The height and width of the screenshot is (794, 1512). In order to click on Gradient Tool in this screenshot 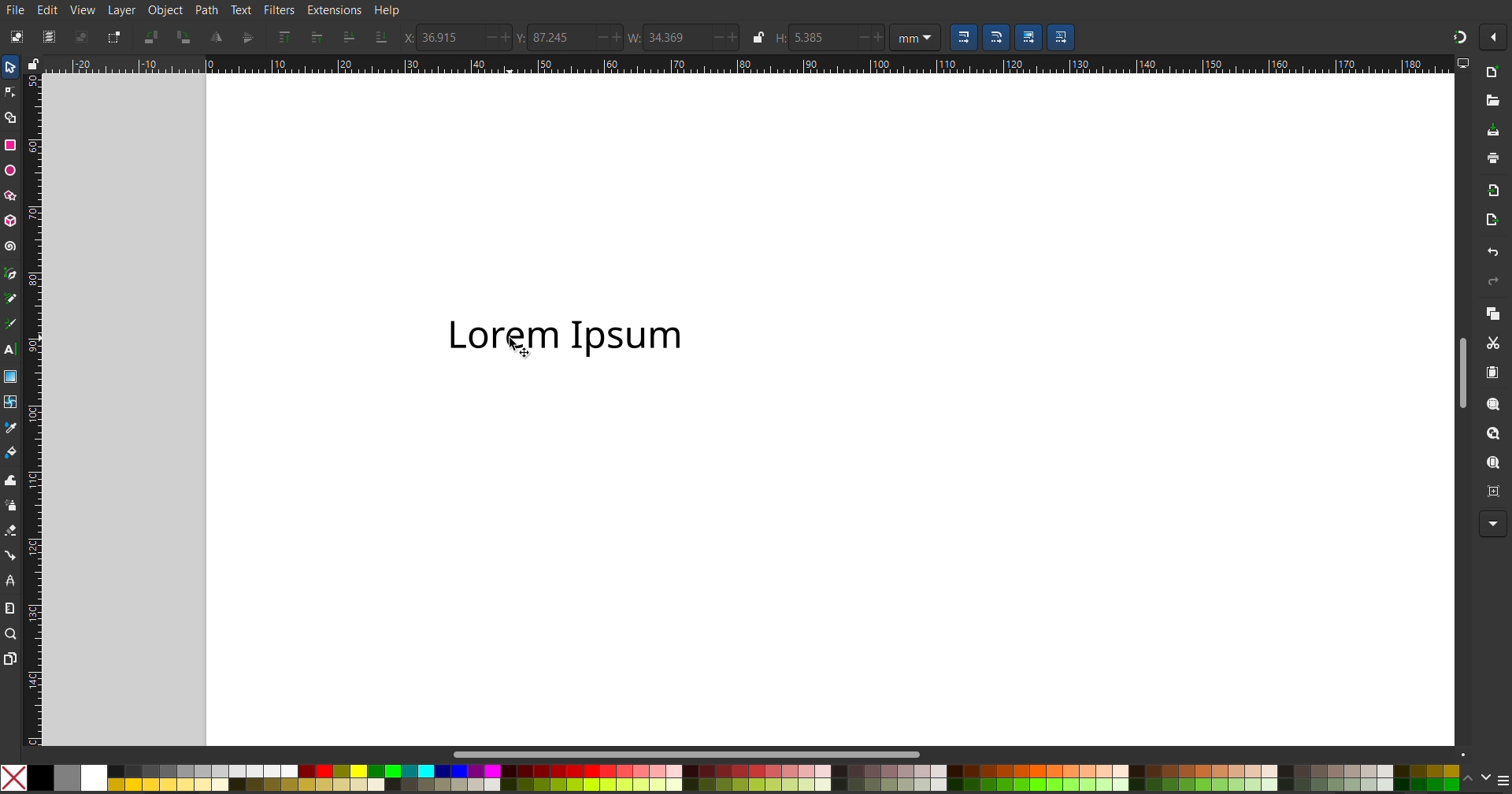, I will do `click(13, 379)`.